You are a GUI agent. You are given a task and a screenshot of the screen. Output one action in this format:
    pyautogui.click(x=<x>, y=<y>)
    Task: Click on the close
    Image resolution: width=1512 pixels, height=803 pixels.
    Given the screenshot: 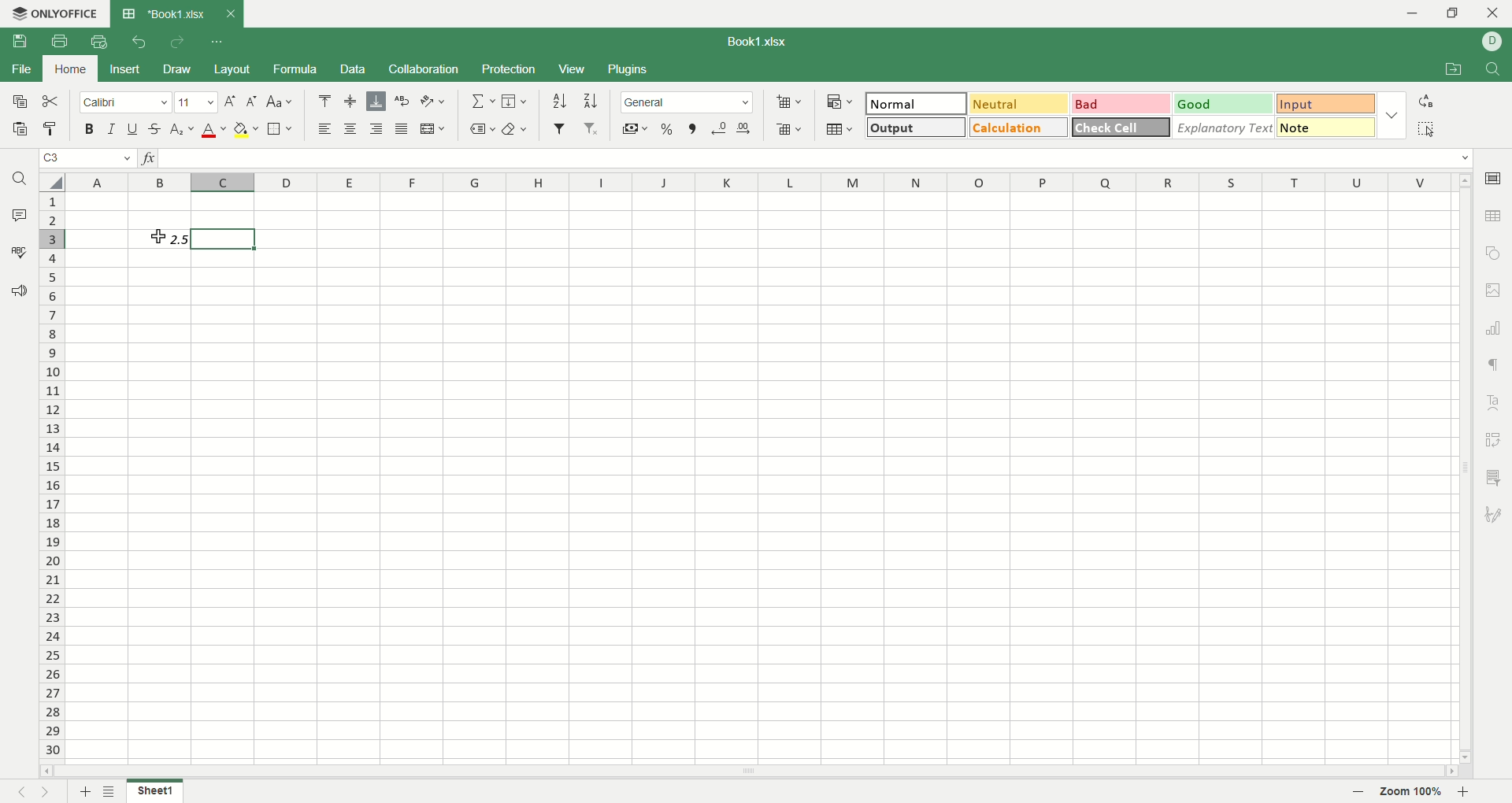 What is the action you would take?
    pyautogui.click(x=1493, y=15)
    